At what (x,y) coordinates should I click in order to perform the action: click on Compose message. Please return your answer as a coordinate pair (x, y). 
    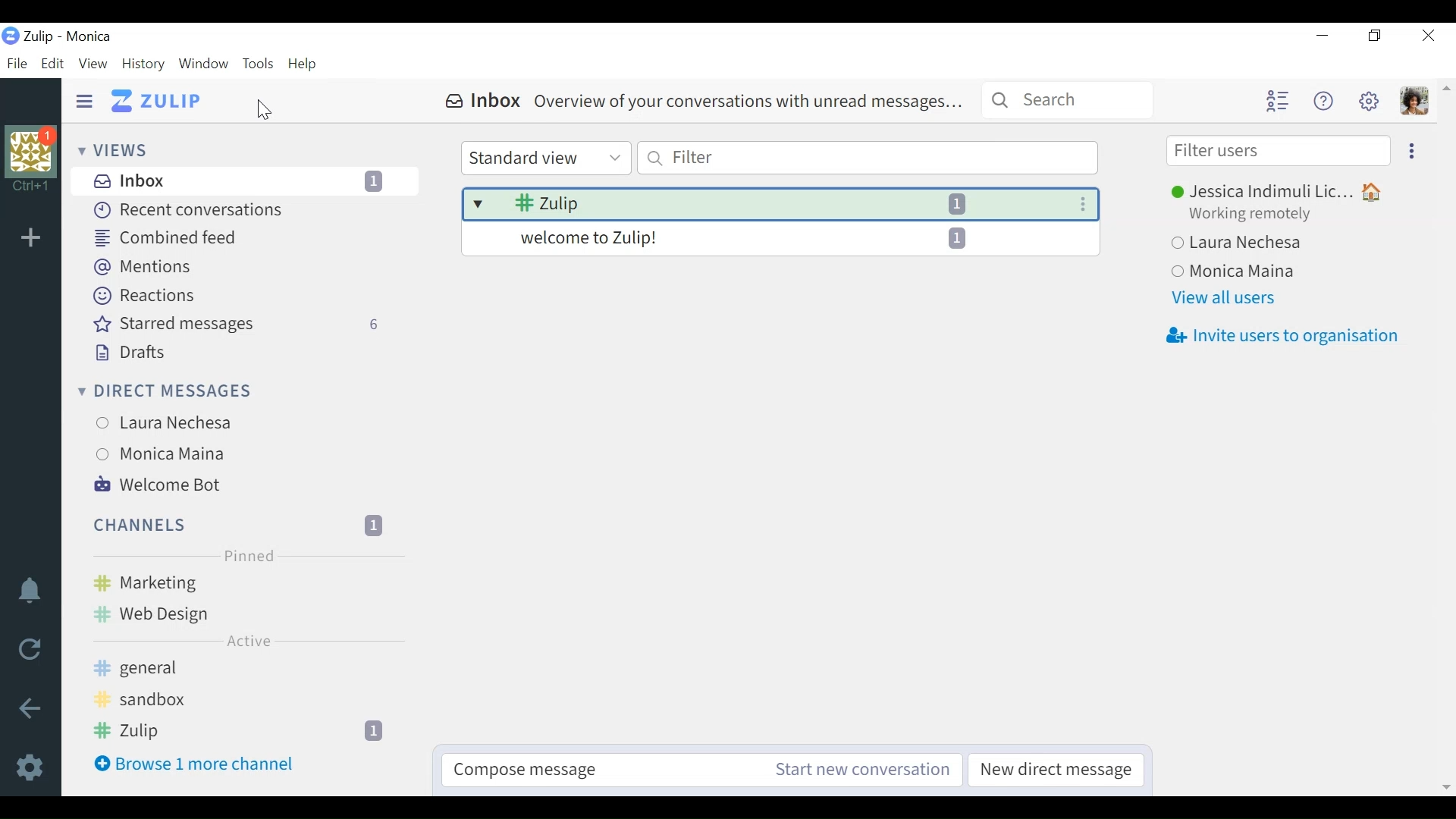
    Looking at the image, I should click on (591, 769).